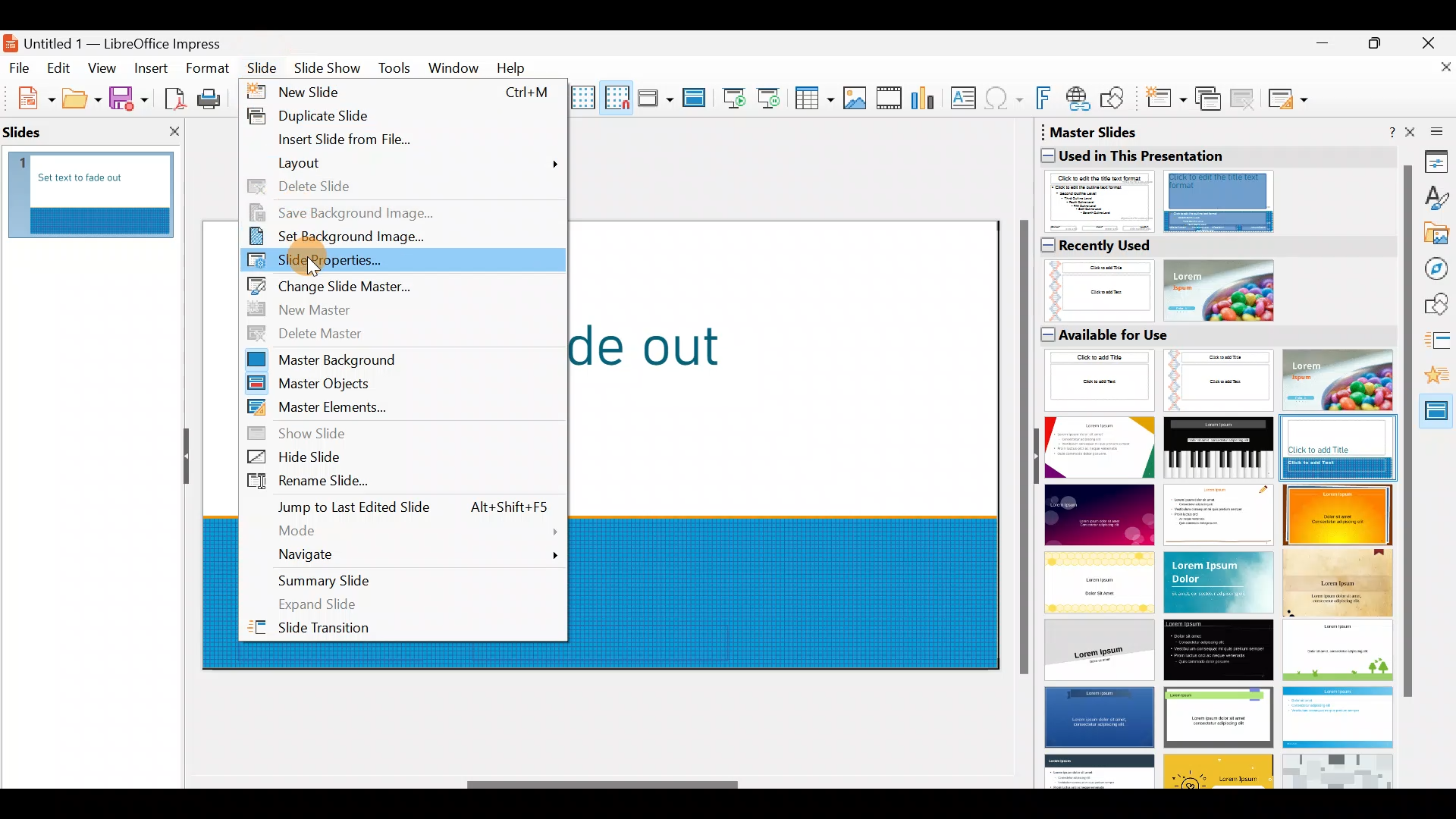 The height and width of the screenshot is (819, 1456). What do you see at coordinates (1209, 278) in the screenshot?
I see `Recently used` at bounding box center [1209, 278].